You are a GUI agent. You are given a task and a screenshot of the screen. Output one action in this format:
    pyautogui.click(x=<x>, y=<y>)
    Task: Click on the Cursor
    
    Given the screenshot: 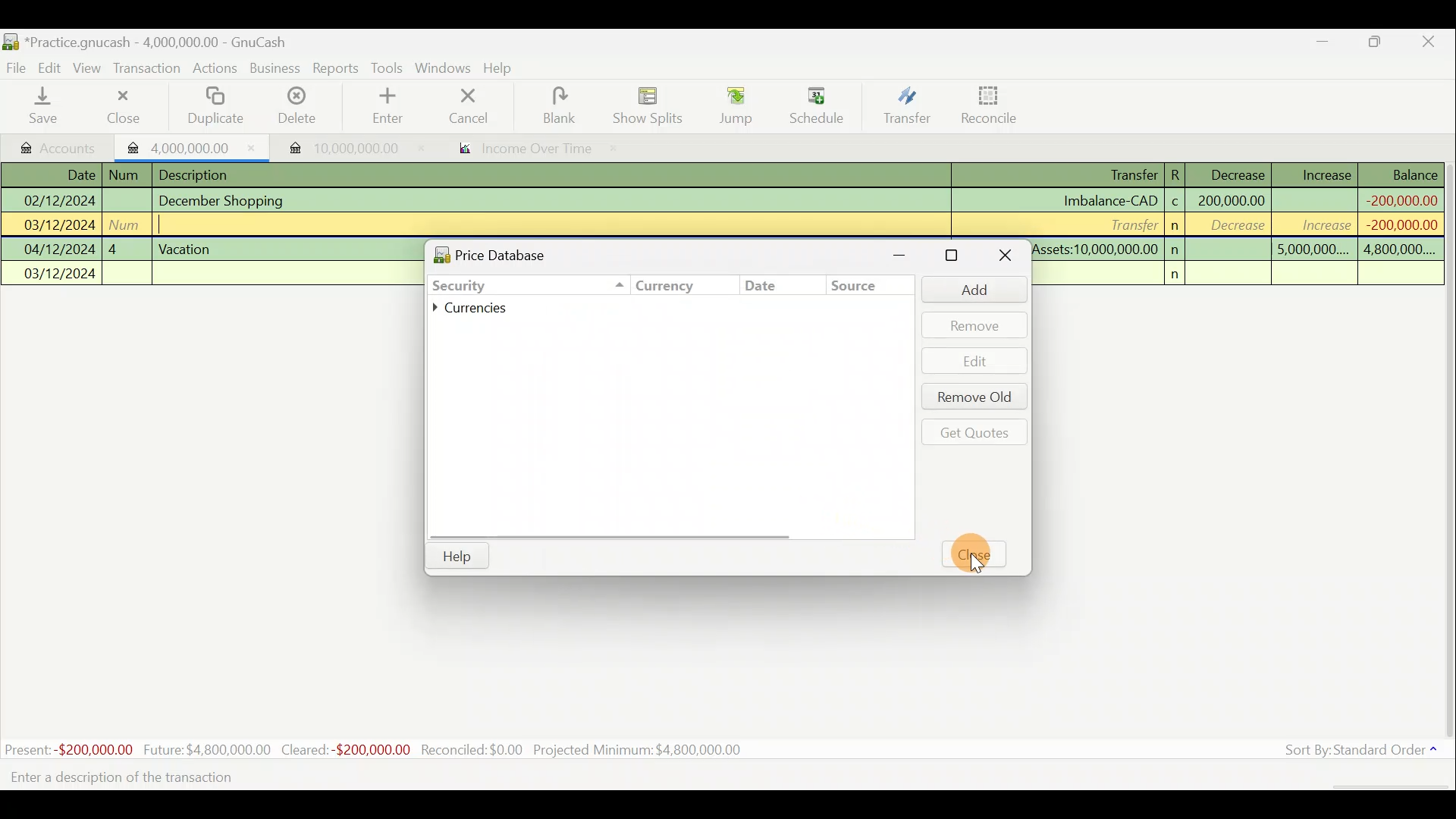 What is the action you would take?
    pyautogui.click(x=971, y=569)
    